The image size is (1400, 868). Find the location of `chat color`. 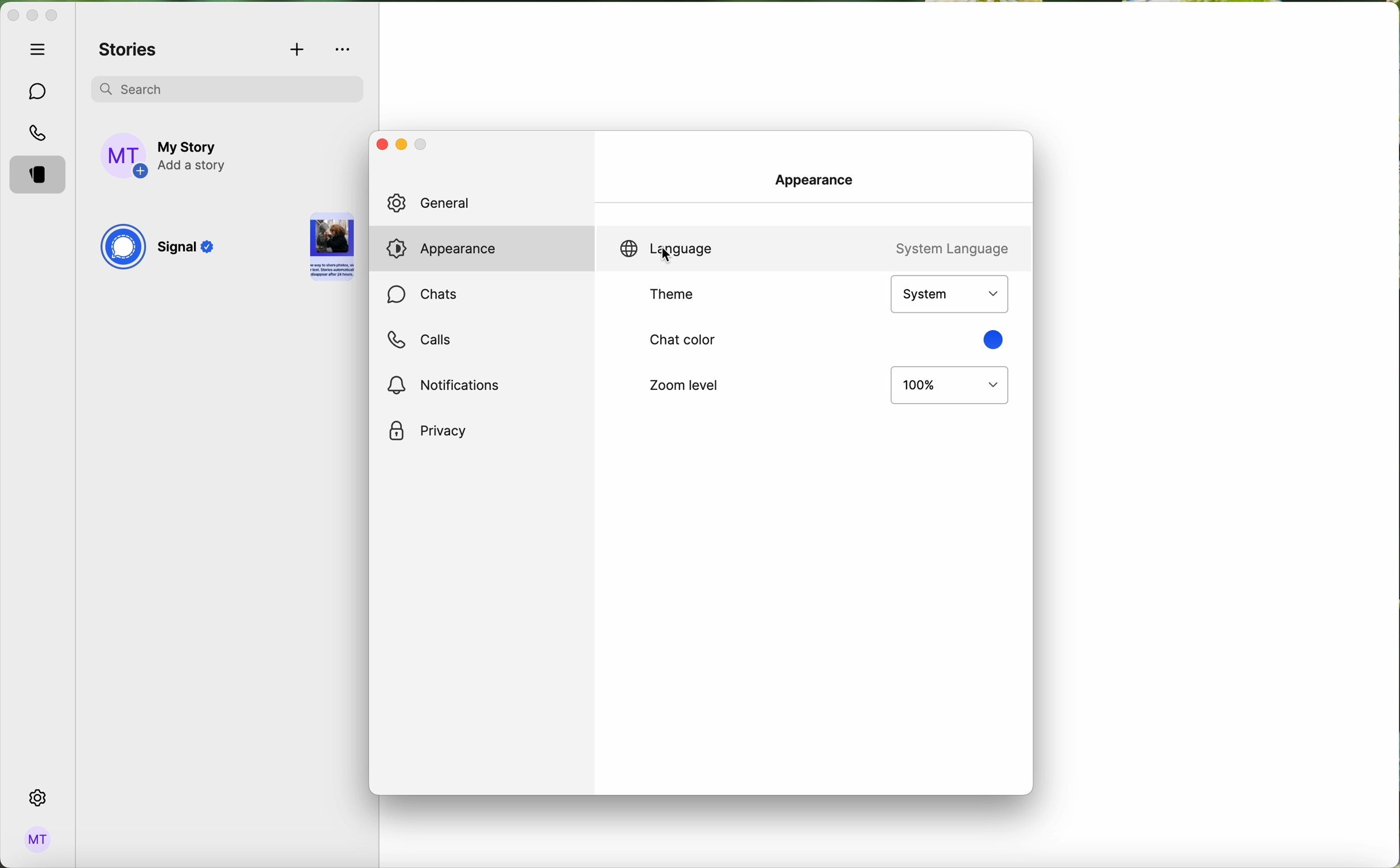

chat color is located at coordinates (683, 339).